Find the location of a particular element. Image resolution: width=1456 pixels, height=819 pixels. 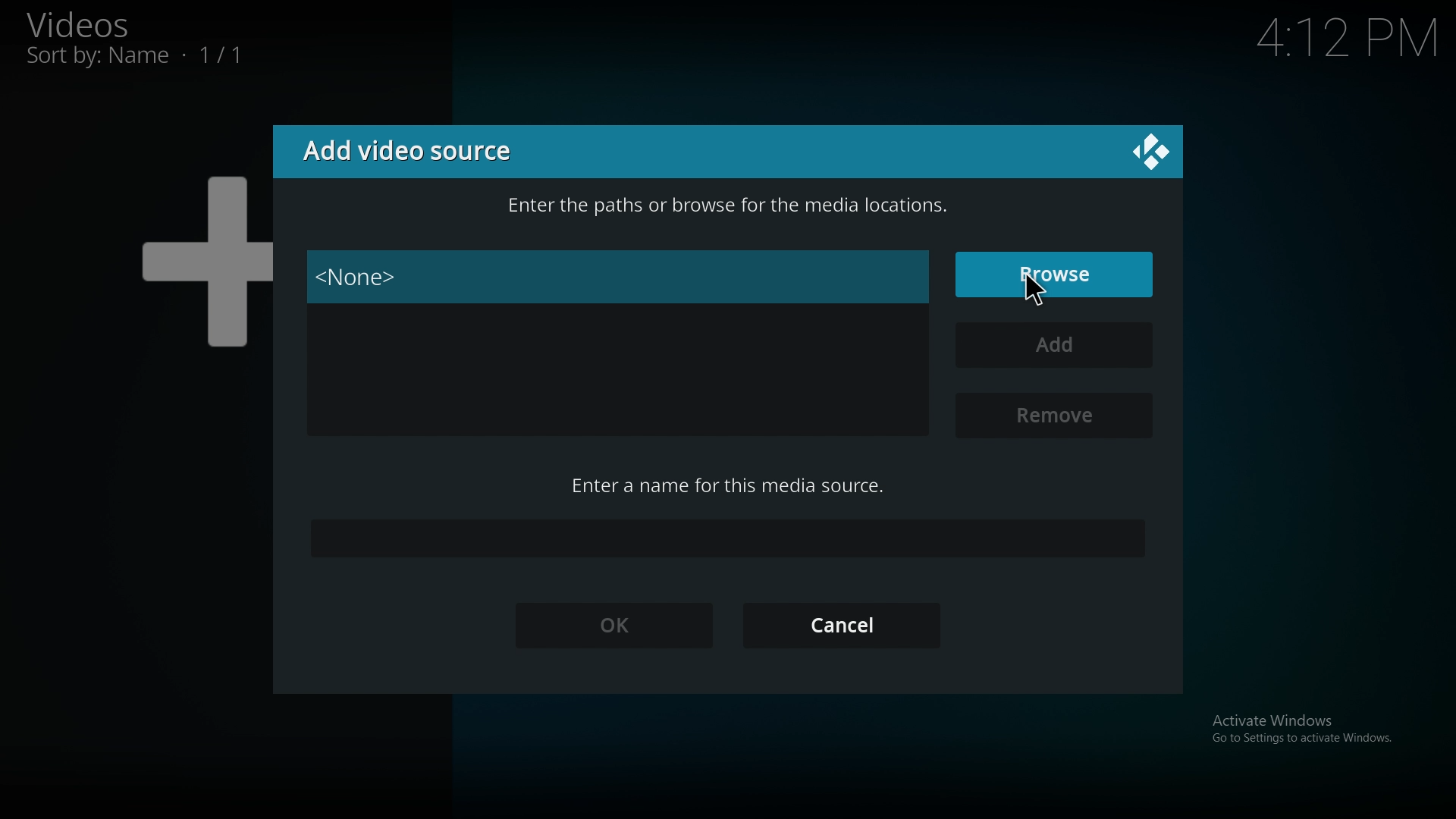

ok is located at coordinates (611, 627).